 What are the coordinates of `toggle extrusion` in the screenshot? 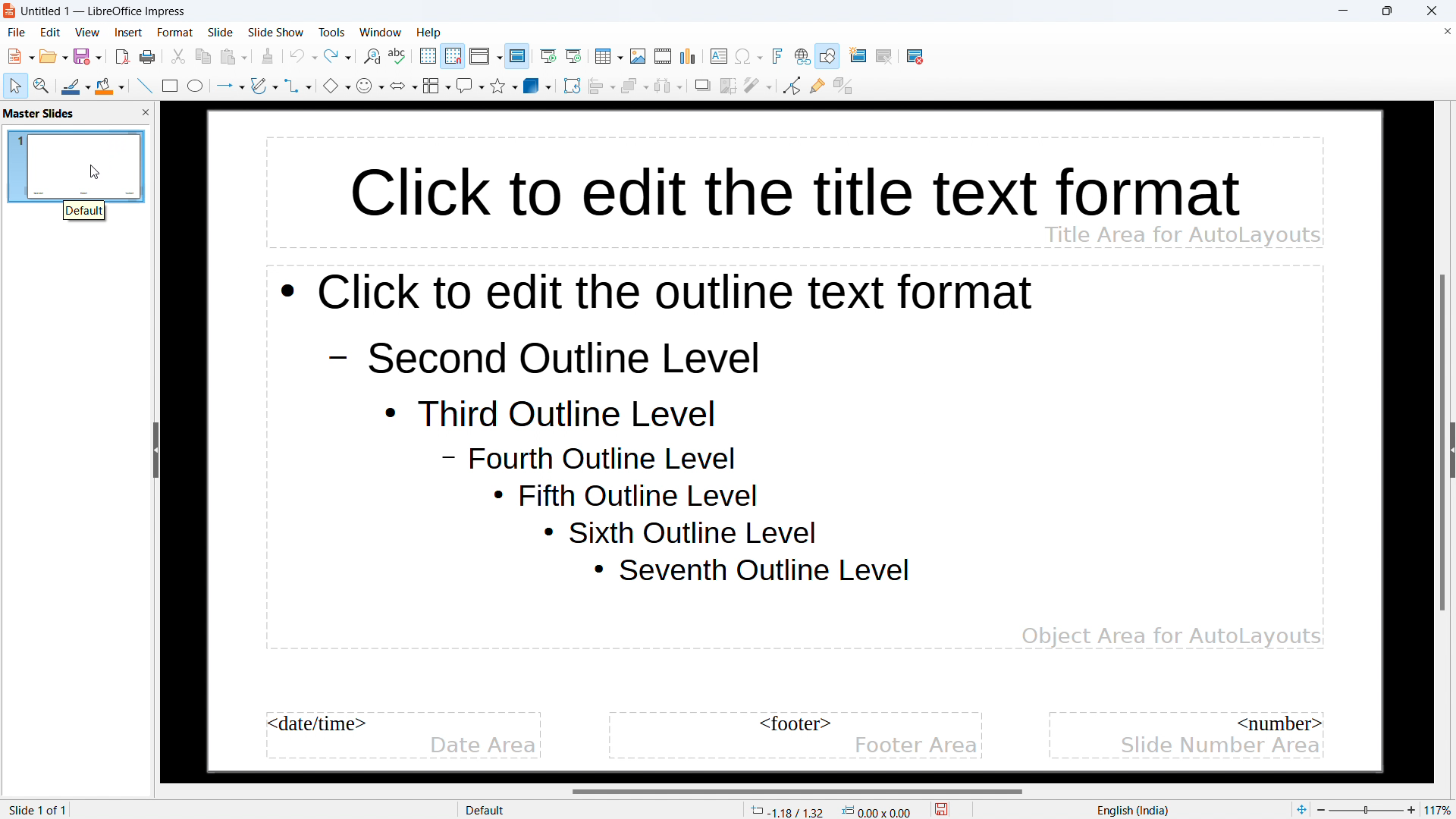 It's located at (843, 86).